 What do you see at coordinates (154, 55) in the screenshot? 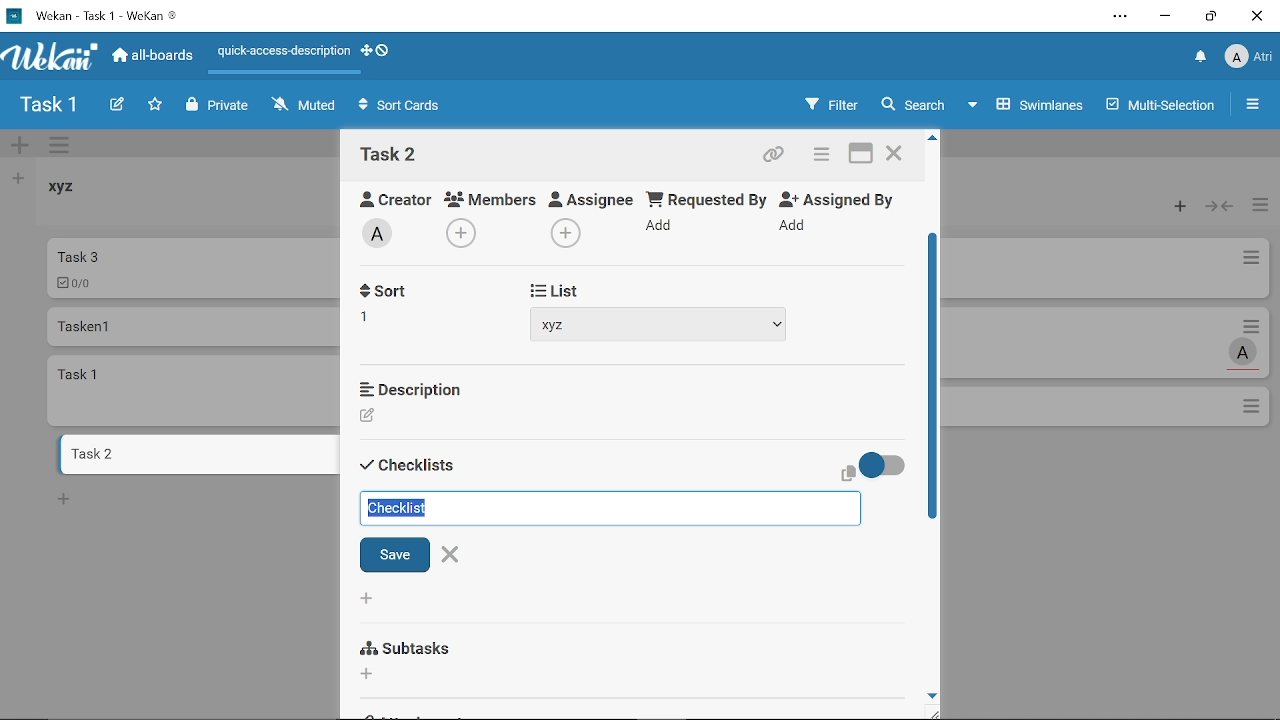
I see `All boards` at bounding box center [154, 55].